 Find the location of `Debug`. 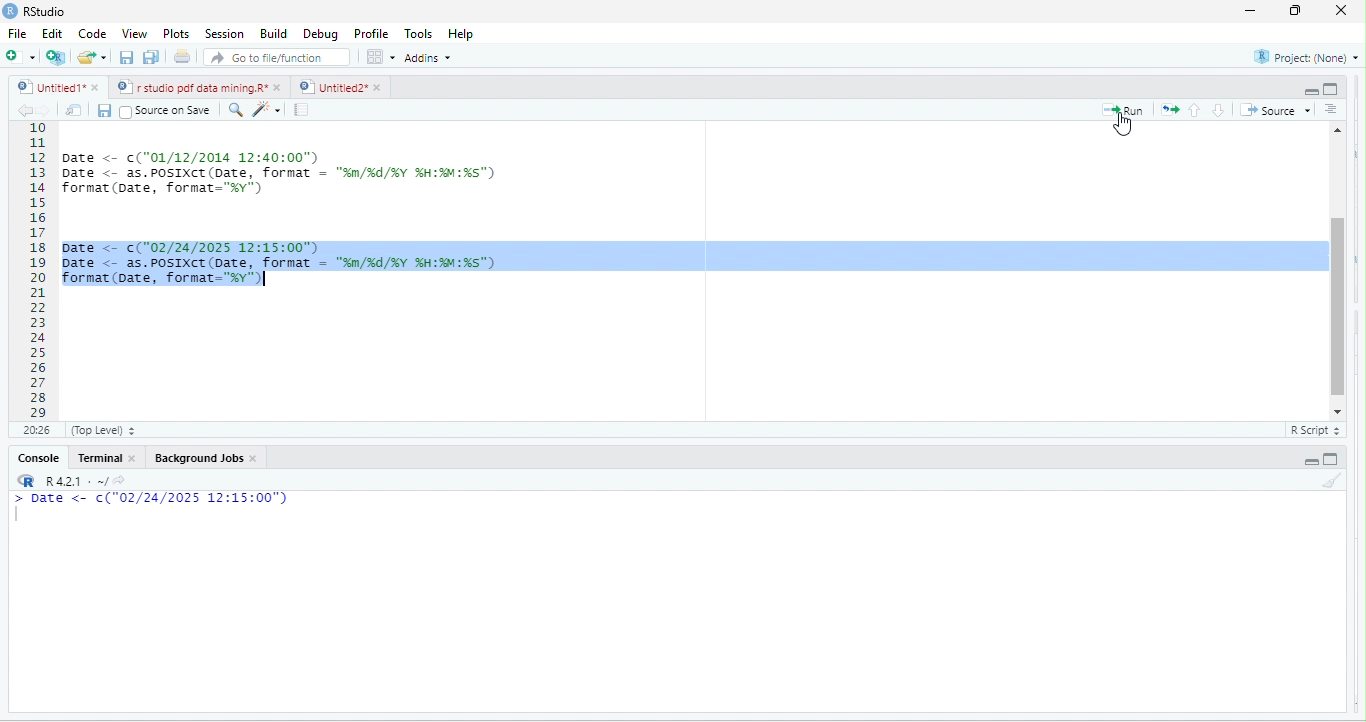

Debug is located at coordinates (320, 36).